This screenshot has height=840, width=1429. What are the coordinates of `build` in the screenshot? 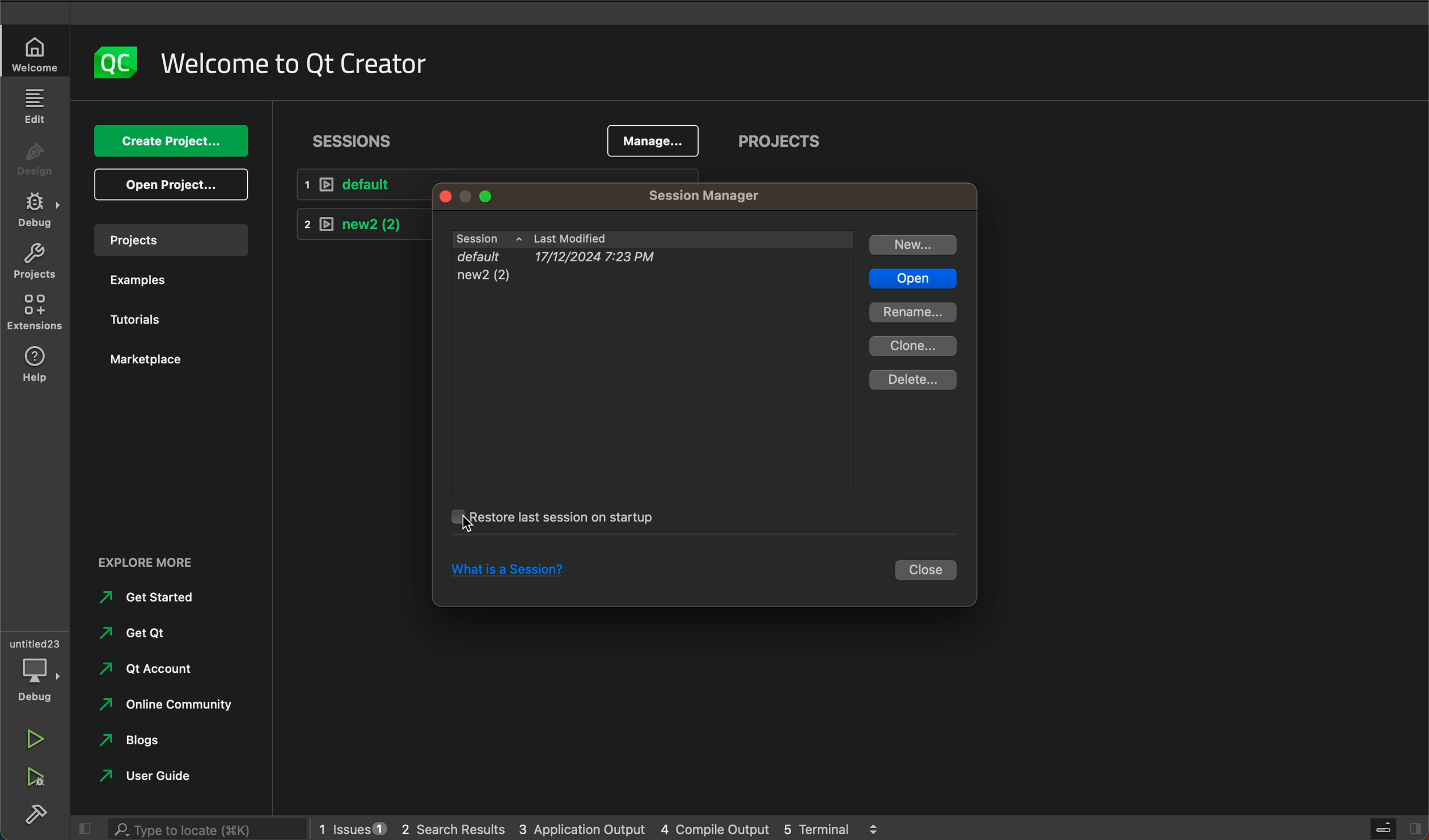 It's located at (33, 814).